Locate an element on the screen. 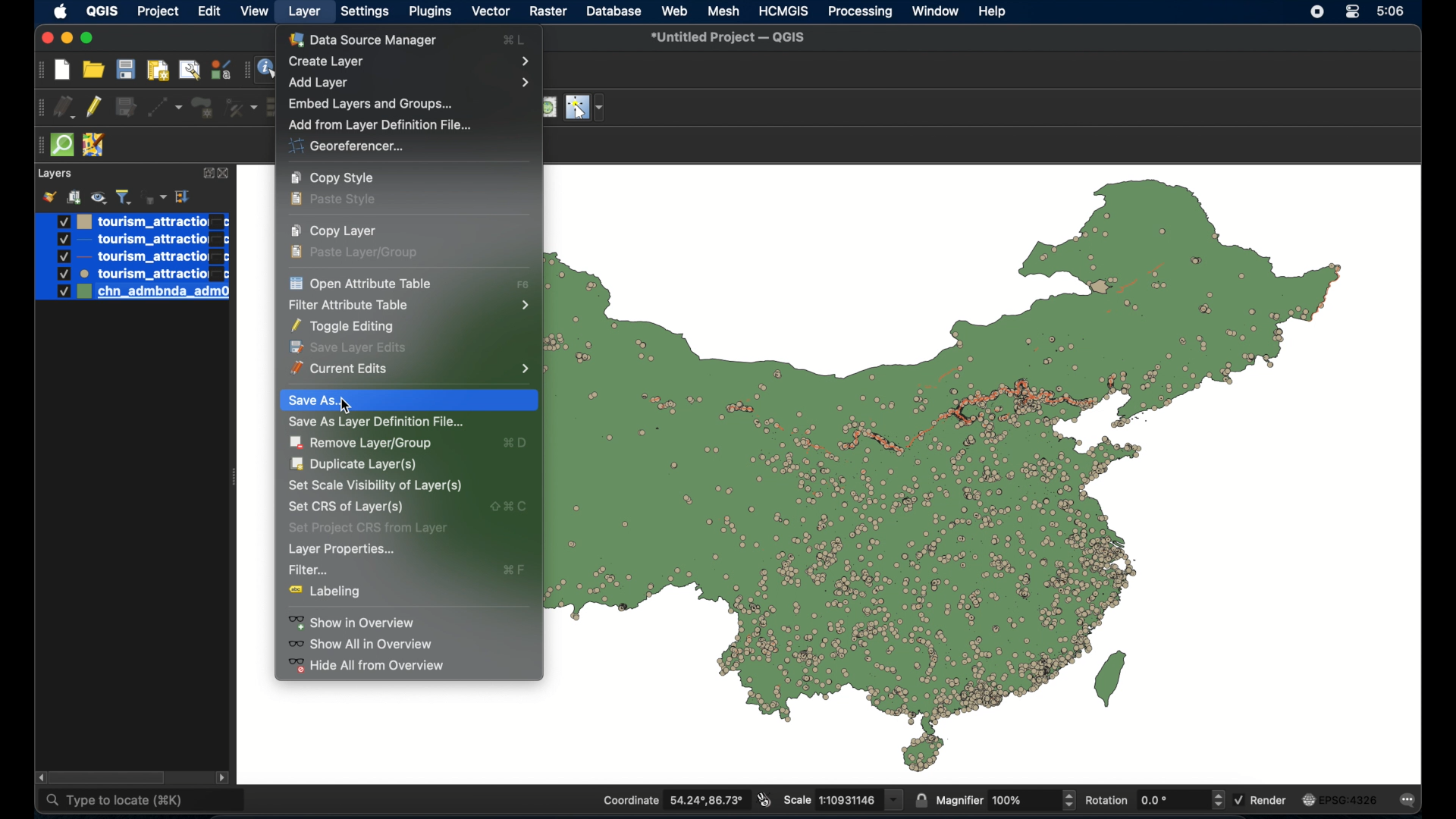 The width and height of the screenshot is (1456, 819). embed layers and groups is located at coordinates (372, 105).